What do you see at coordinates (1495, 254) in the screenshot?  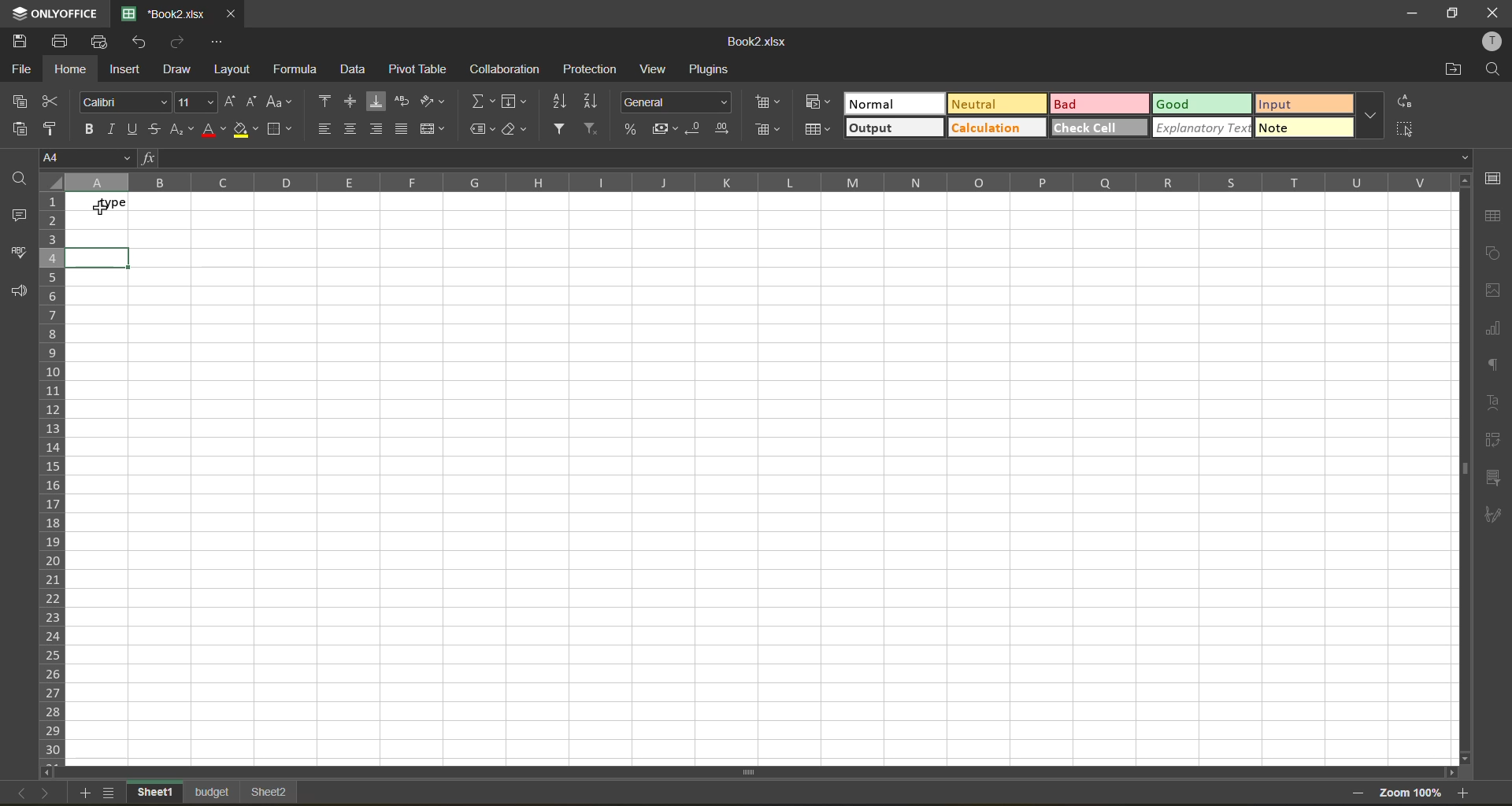 I see `shapes` at bounding box center [1495, 254].